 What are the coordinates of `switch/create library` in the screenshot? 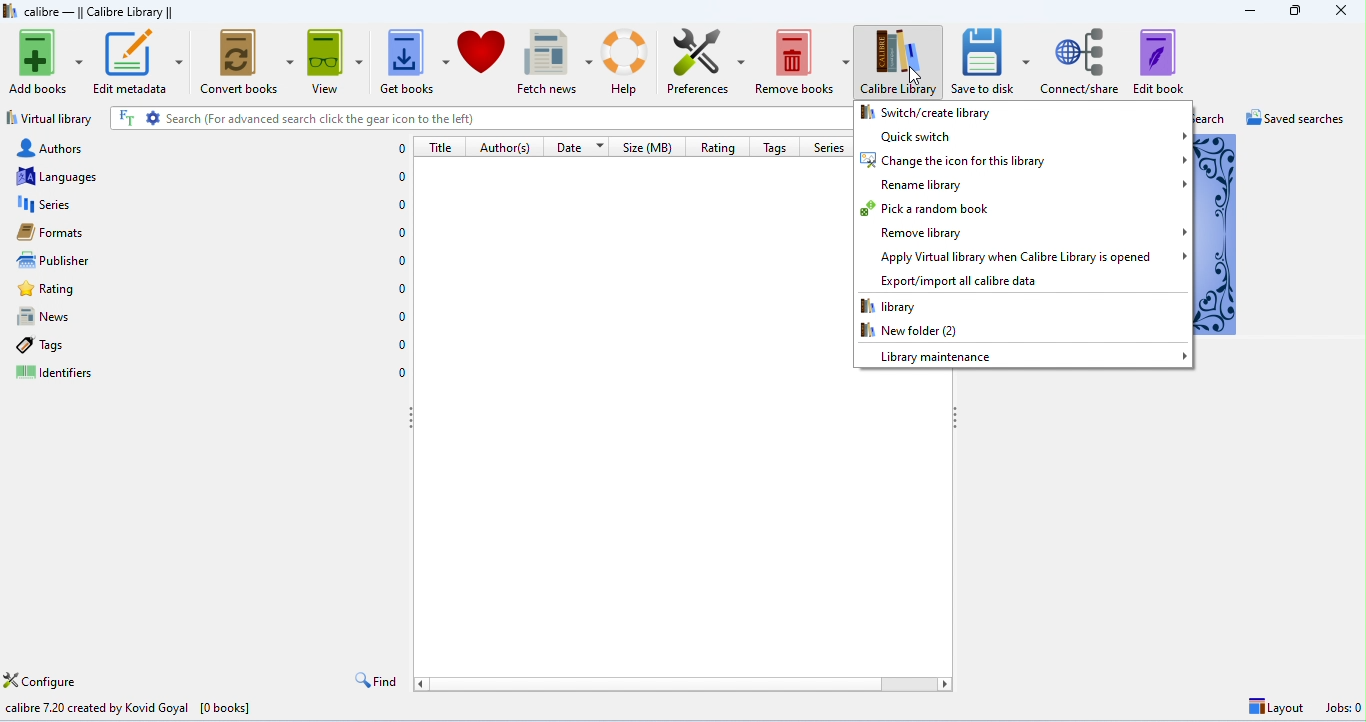 It's located at (1022, 113).